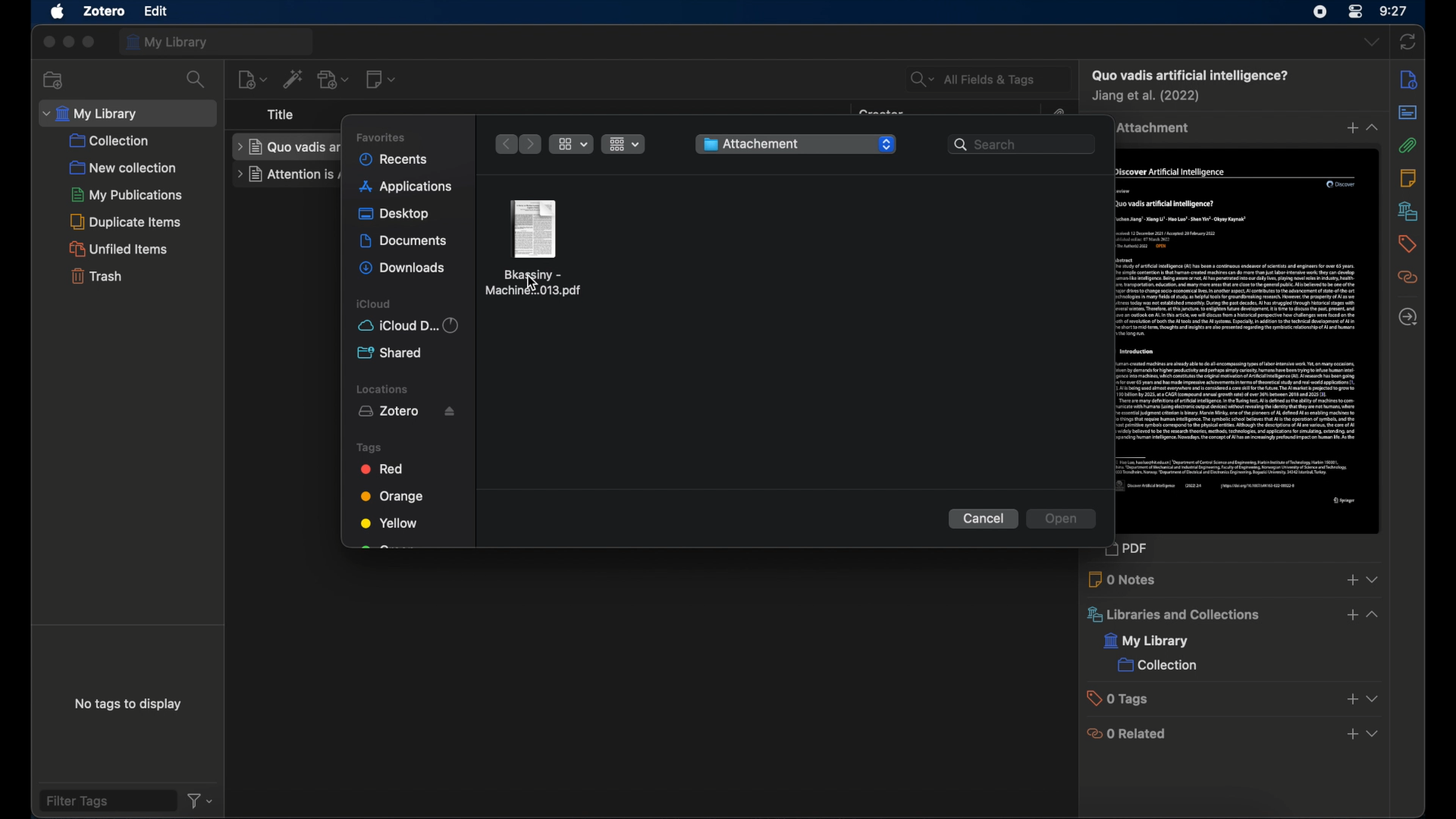 The width and height of the screenshot is (1456, 819). What do you see at coordinates (1407, 41) in the screenshot?
I see `sync` at bounding box center [1407, 41].